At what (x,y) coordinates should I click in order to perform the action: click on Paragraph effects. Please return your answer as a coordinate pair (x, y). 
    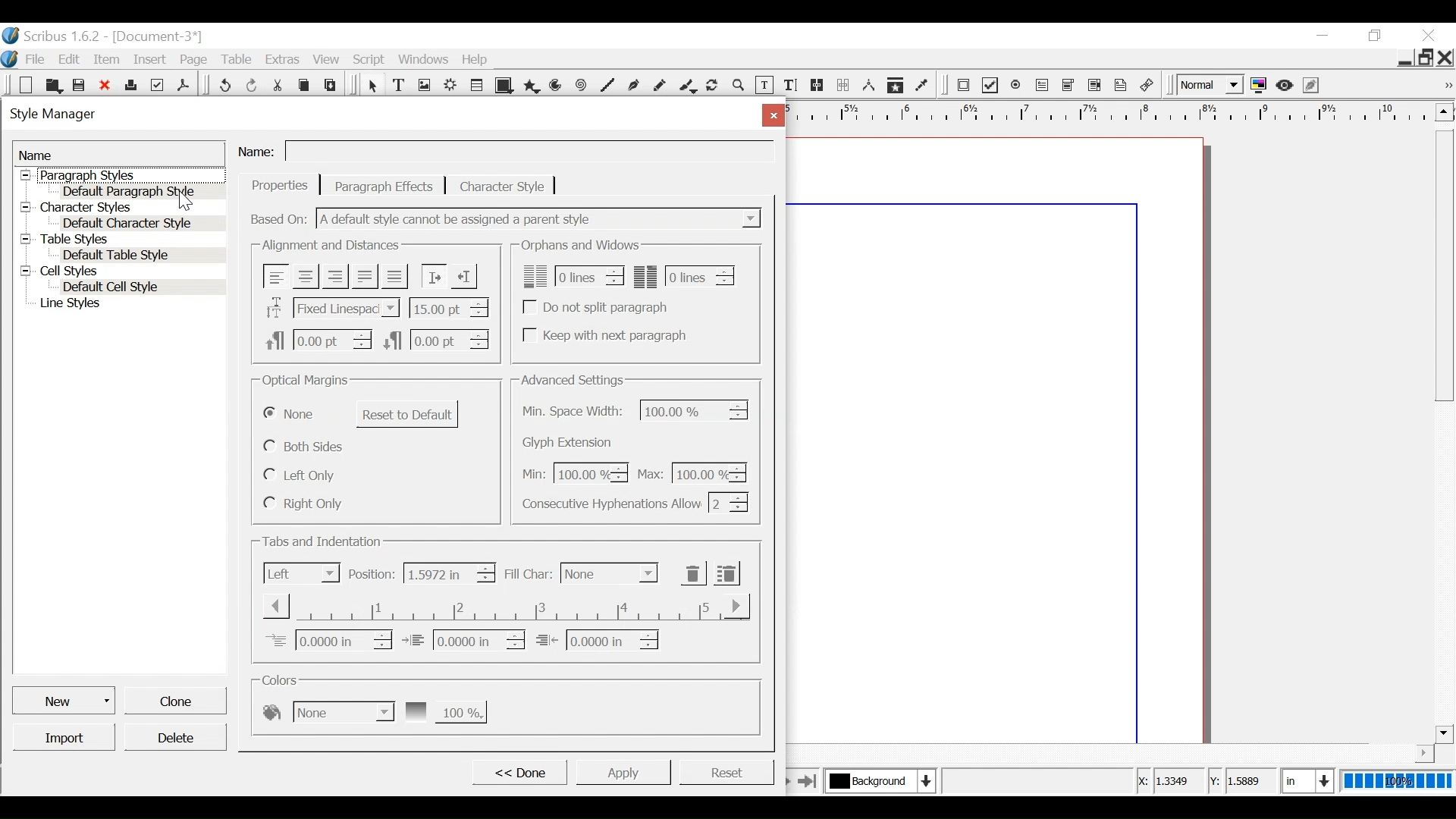
    Looking at the image, I should click on (384, 185).